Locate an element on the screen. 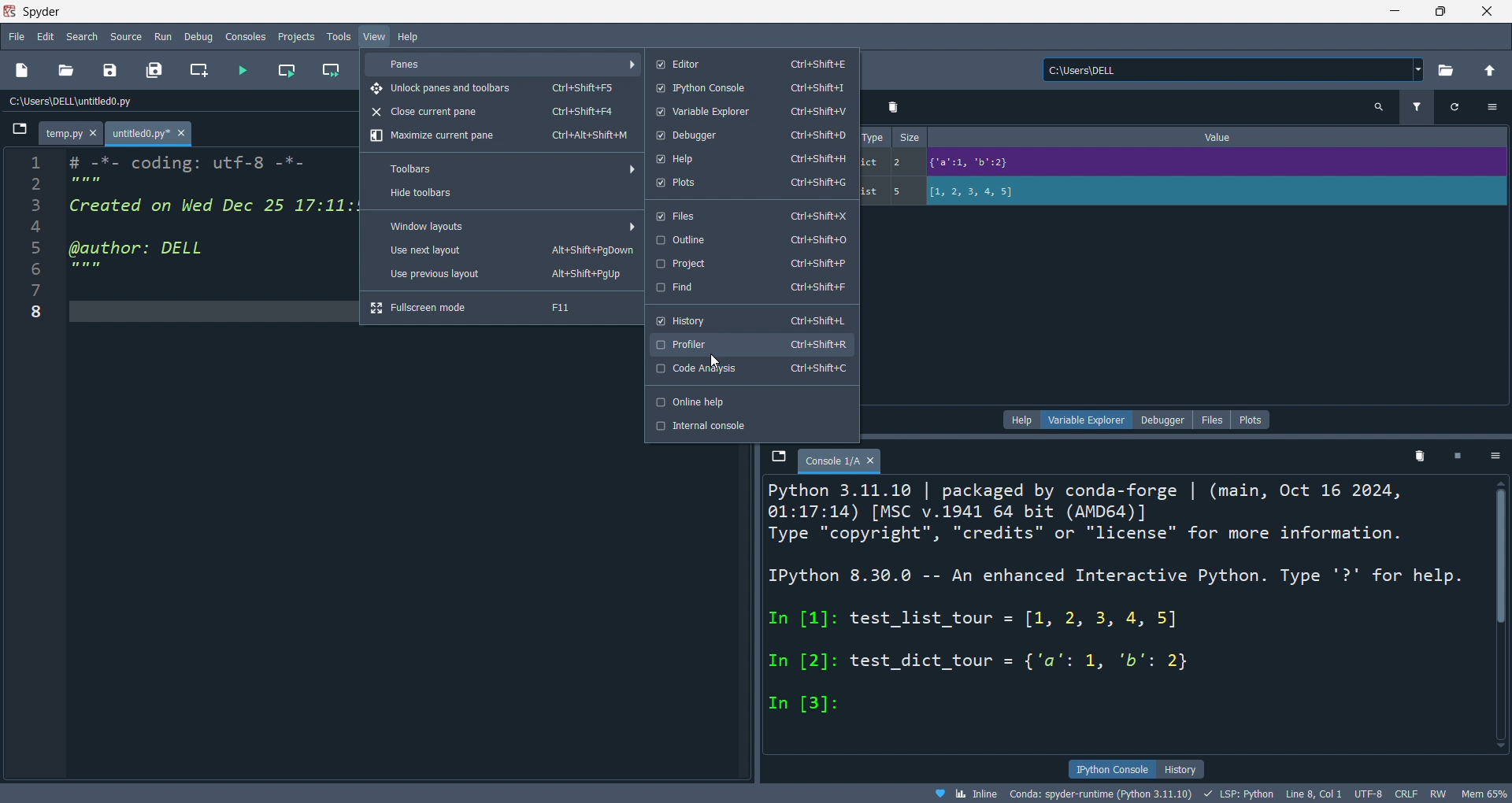 This screenshot has height=803, width=1512. browse tabs is located at coordinates (778, 457).